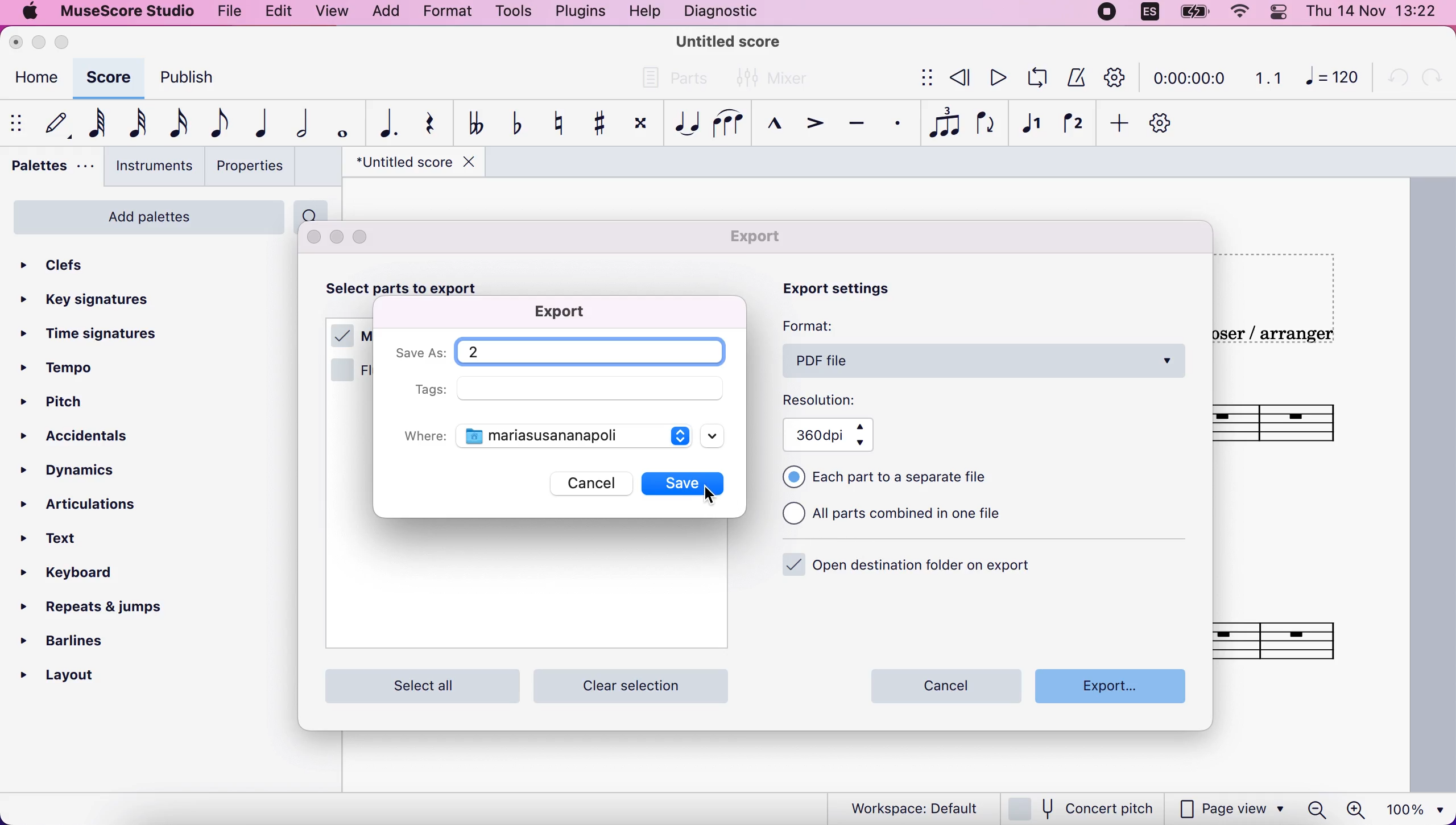 This screenshot has height=825, width=1456. Describe the element at coordinates (249, 168) in the screenshot. I see `properties` at that location.